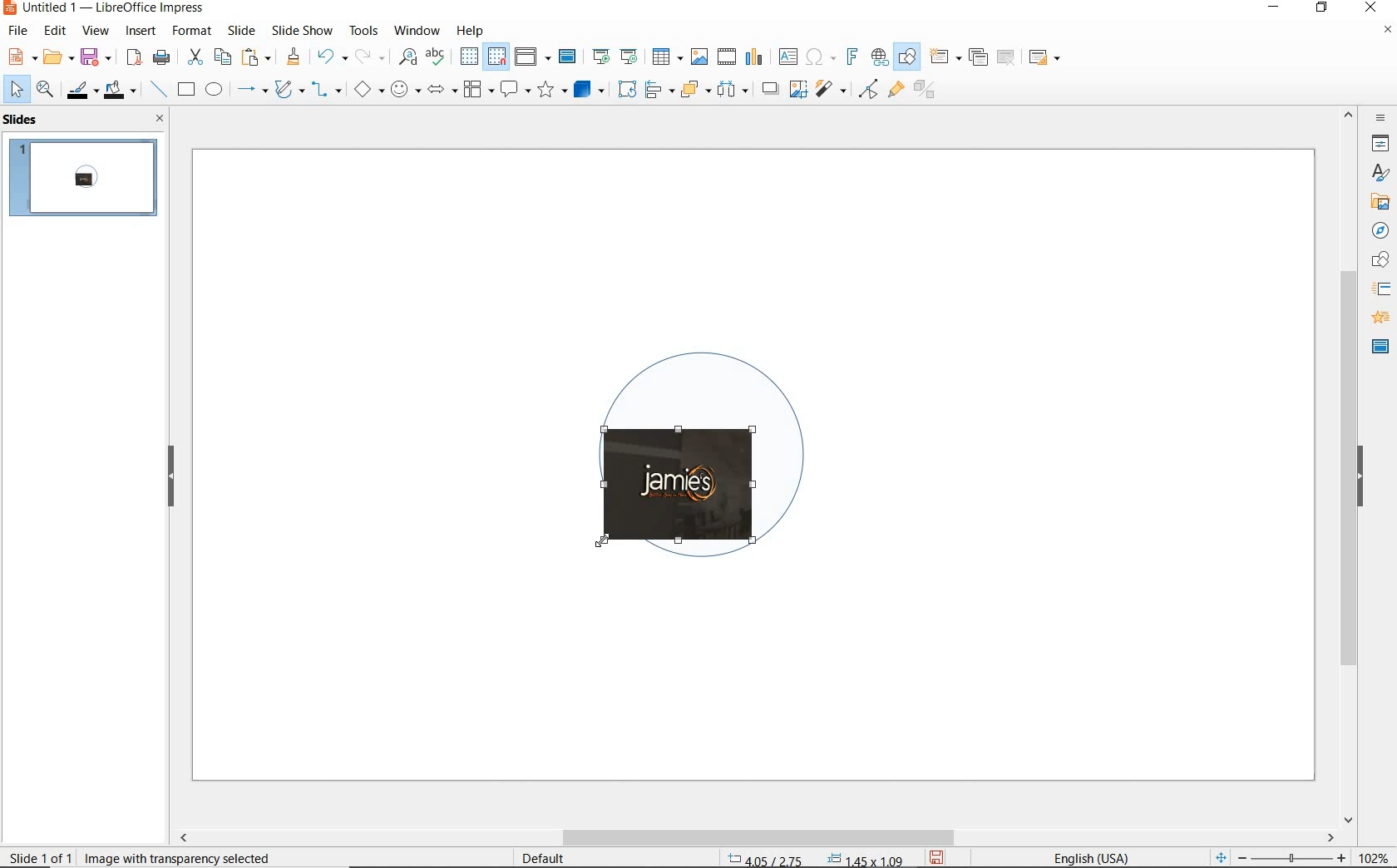 This screenshot has height=868, width=1397. Describe the element at coordinates (405, 89) in the screenshot. I see `symbol shapes` at that location.